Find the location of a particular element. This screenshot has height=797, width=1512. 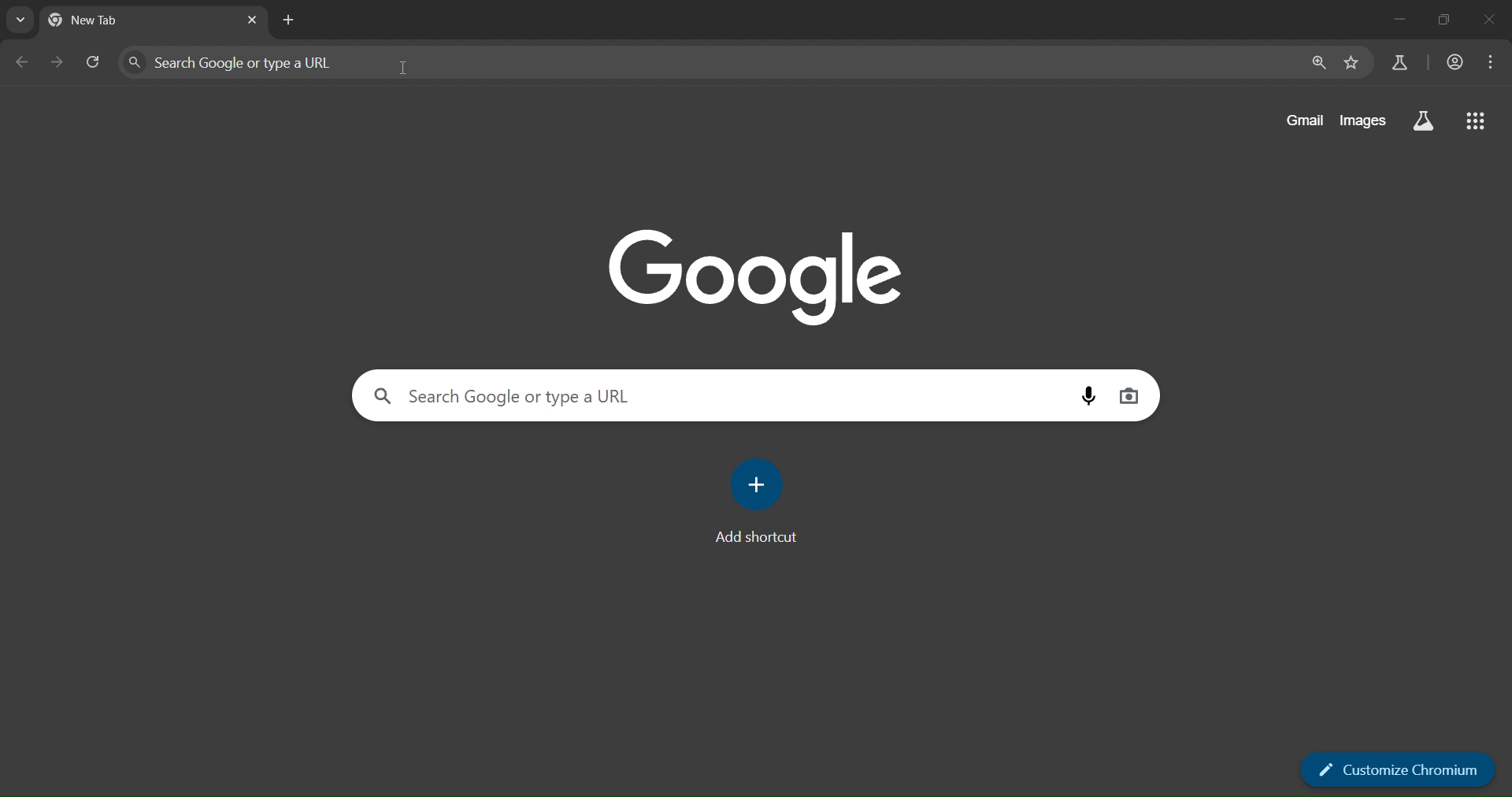

go forward one page is located at coordinates (56, 62).